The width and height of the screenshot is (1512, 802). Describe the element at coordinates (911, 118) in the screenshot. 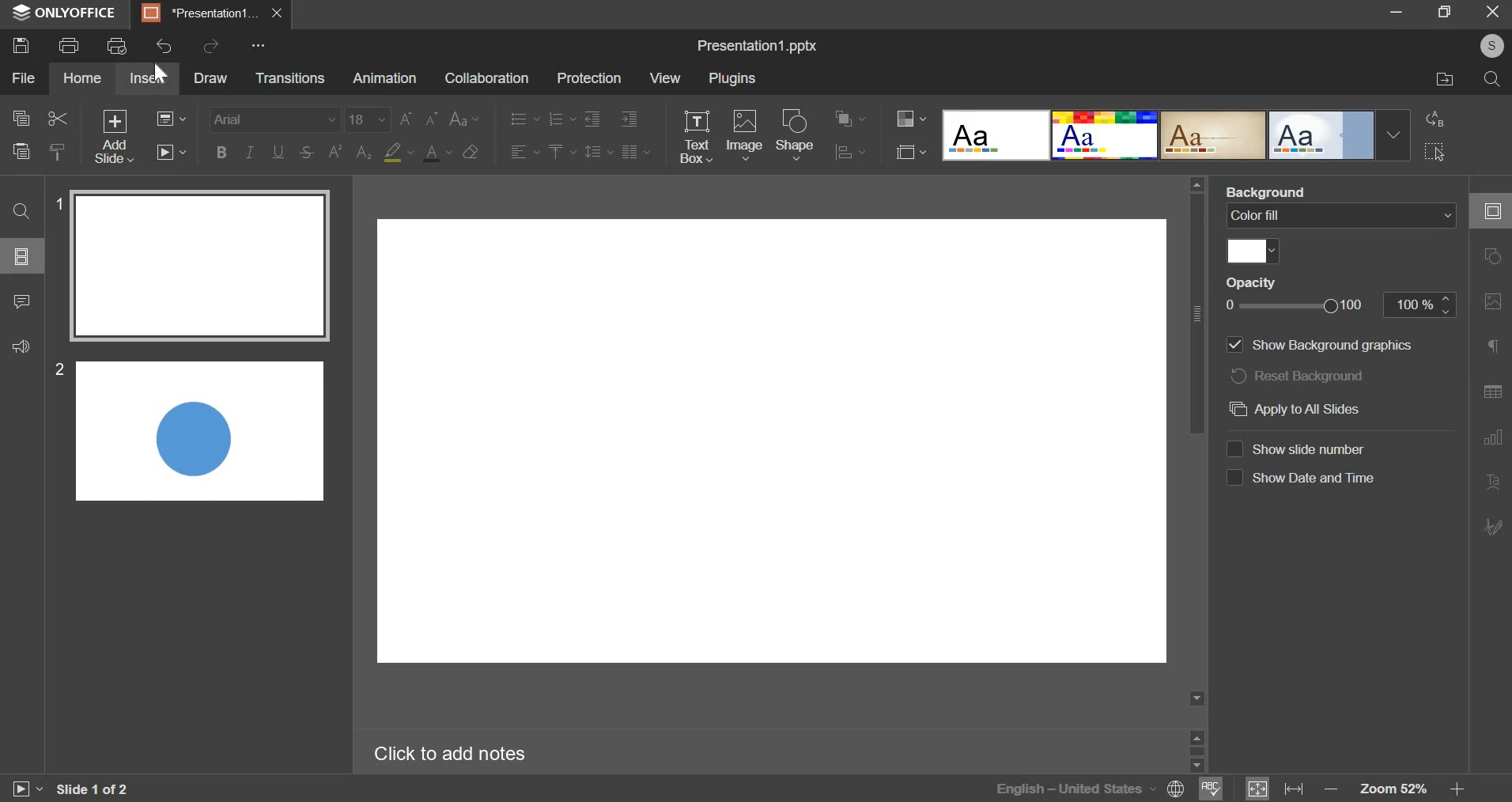

I see `change color theme` at that location.